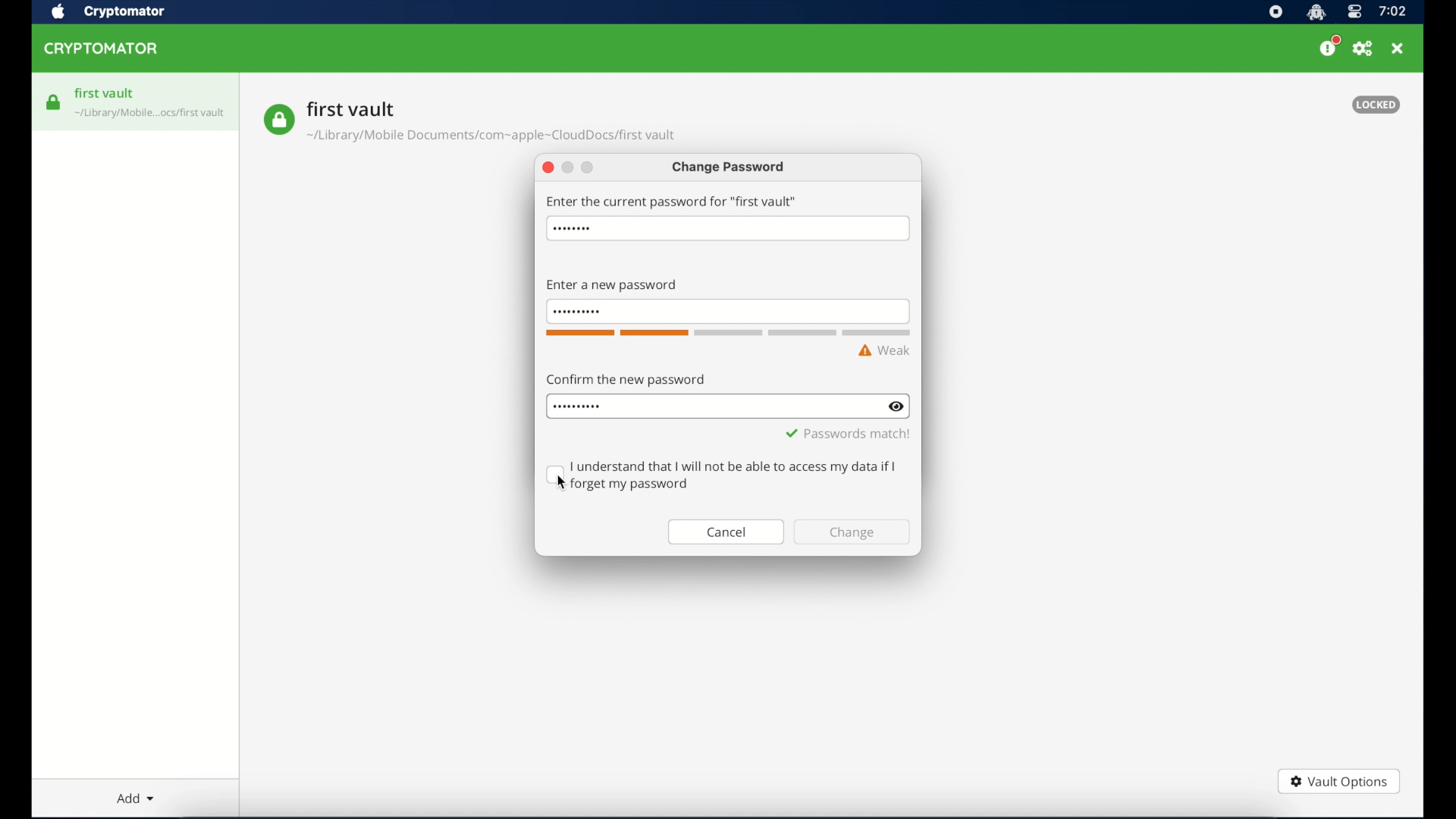 The image size is (1456, 819). What do you see at coordinates (1392, 12) in the screenshot?
I see `time` at bounding box center [1392, 12].